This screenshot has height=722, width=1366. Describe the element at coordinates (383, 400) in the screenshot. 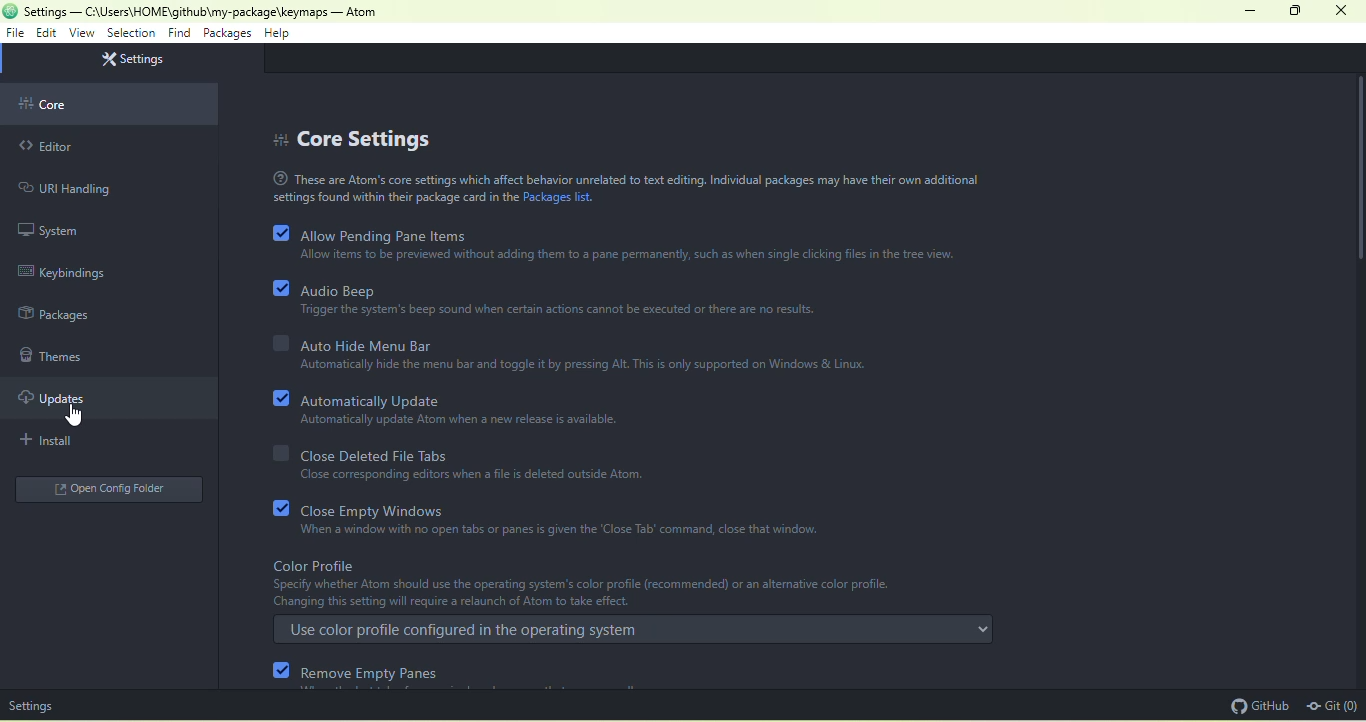

I see `automatically update` at that location.